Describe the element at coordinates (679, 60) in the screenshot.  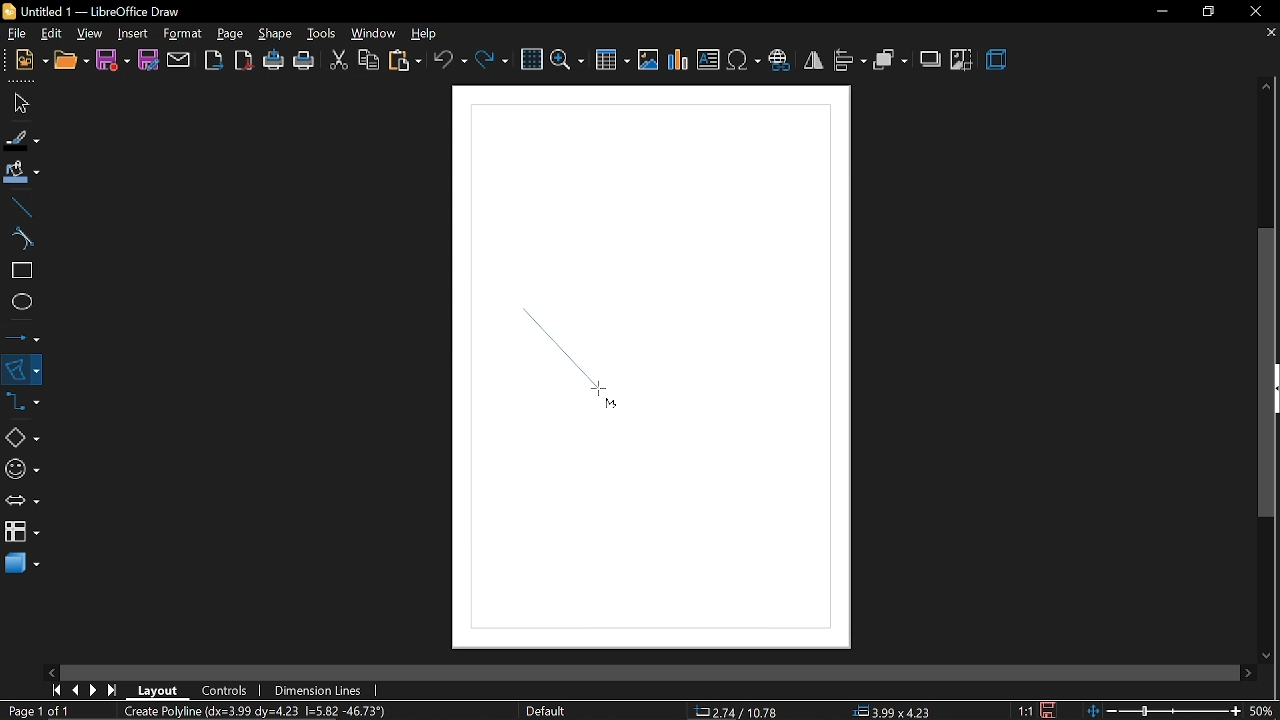
I see `insert chart` at that location.